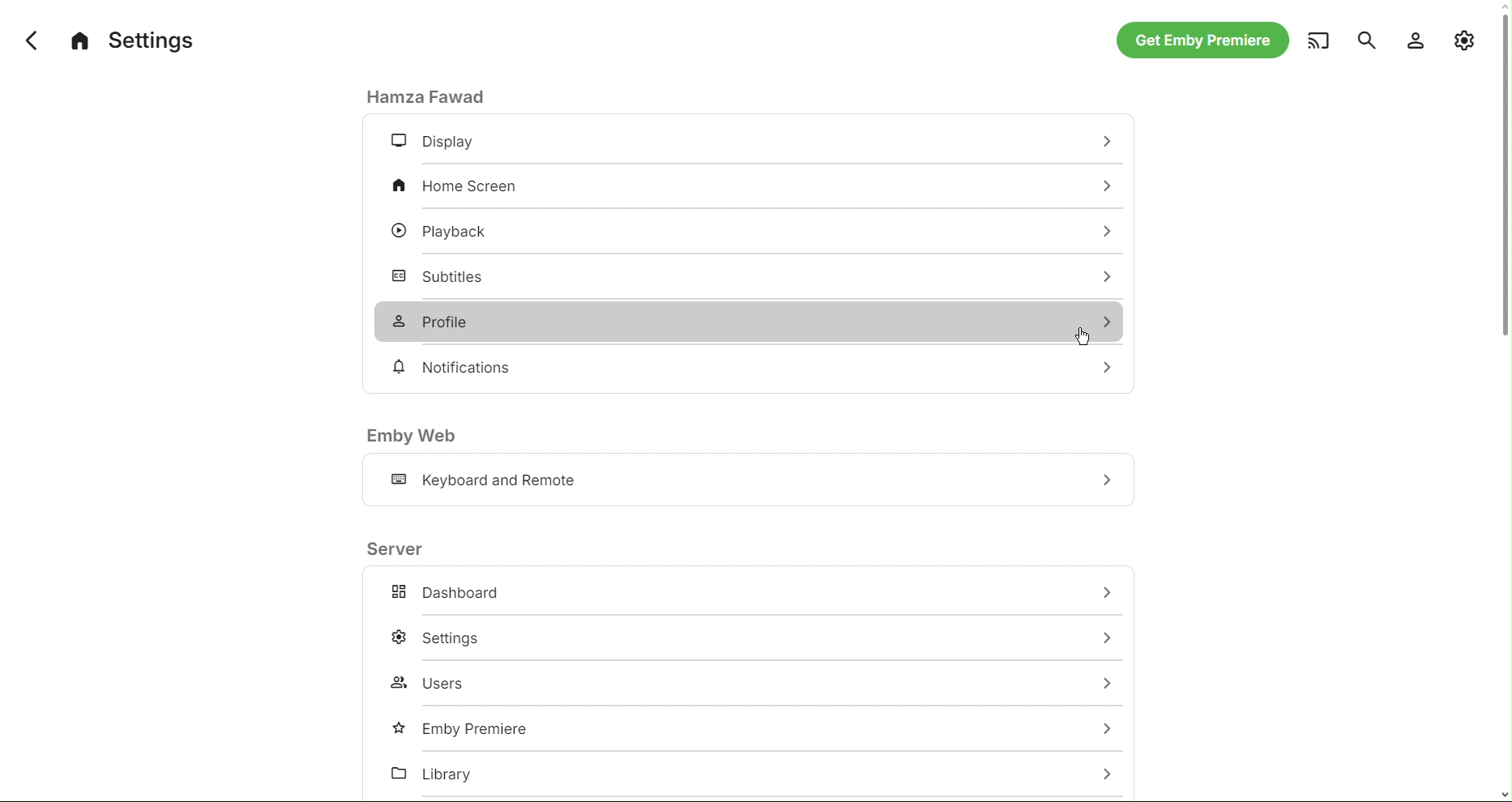 The height and width of the screenshot is (802, 1512). I want to click on go, so click(1105, 367).